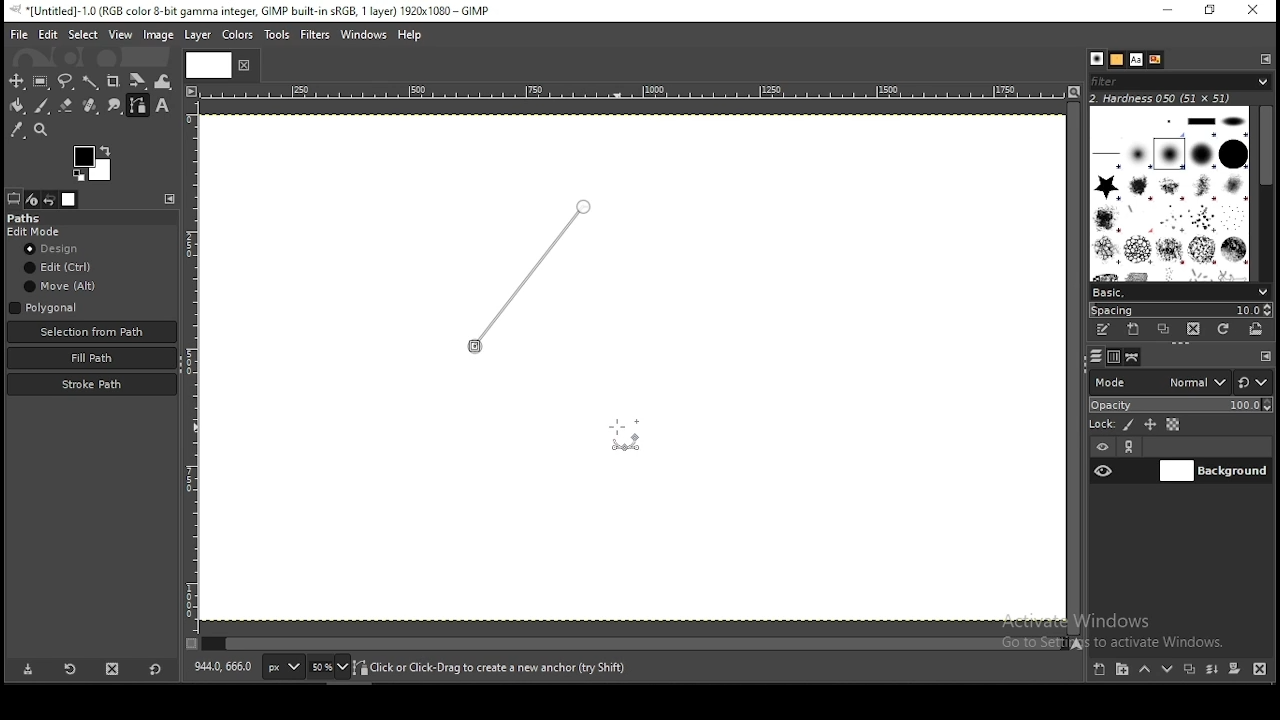 Image resolution: width=1280 pixels, height=720 pixels. I want to click on move layer one step up, so click(1147, 671).